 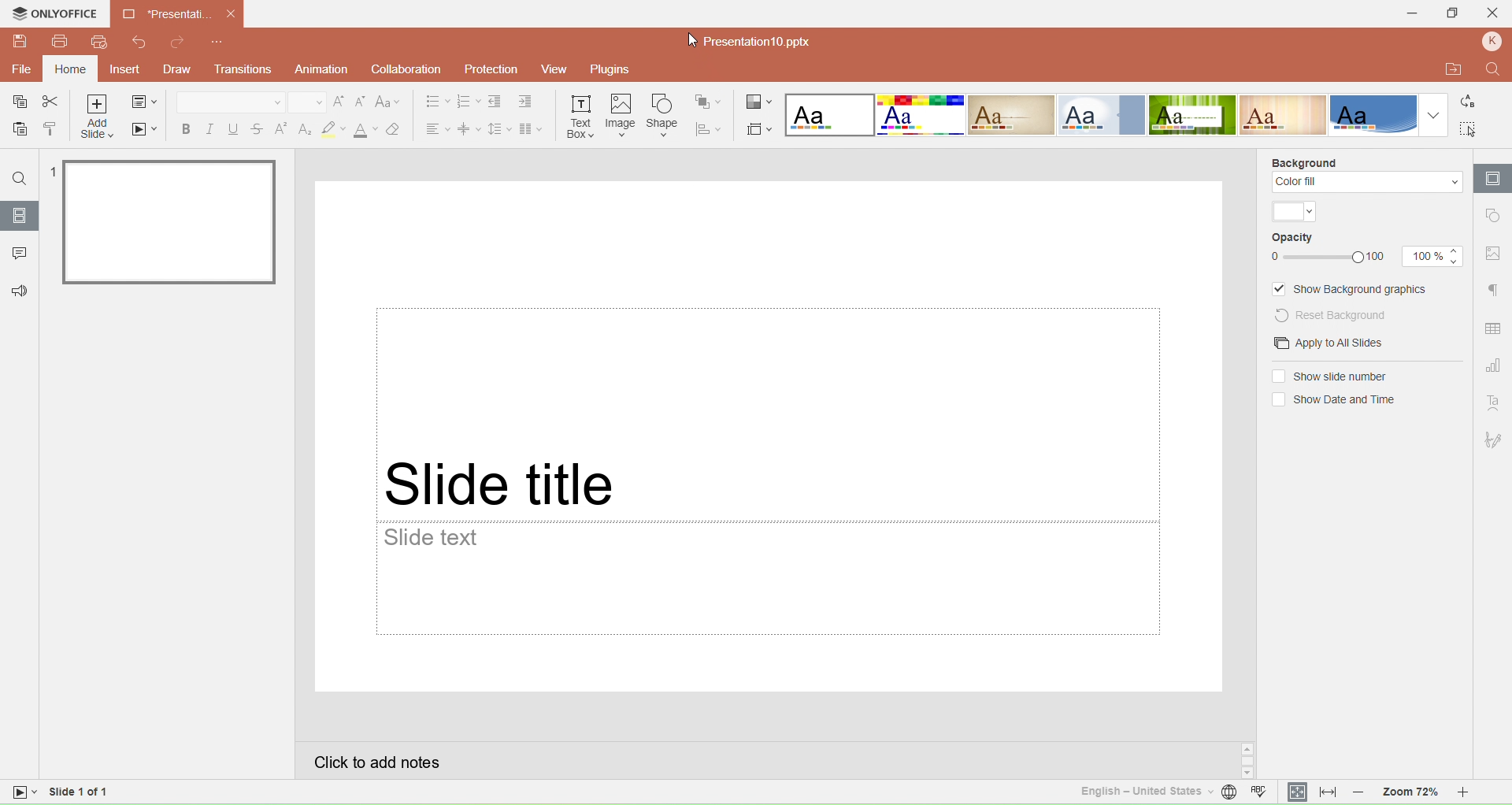 I want to click on (un)select Show date and time, so click(x=1332, y=400).